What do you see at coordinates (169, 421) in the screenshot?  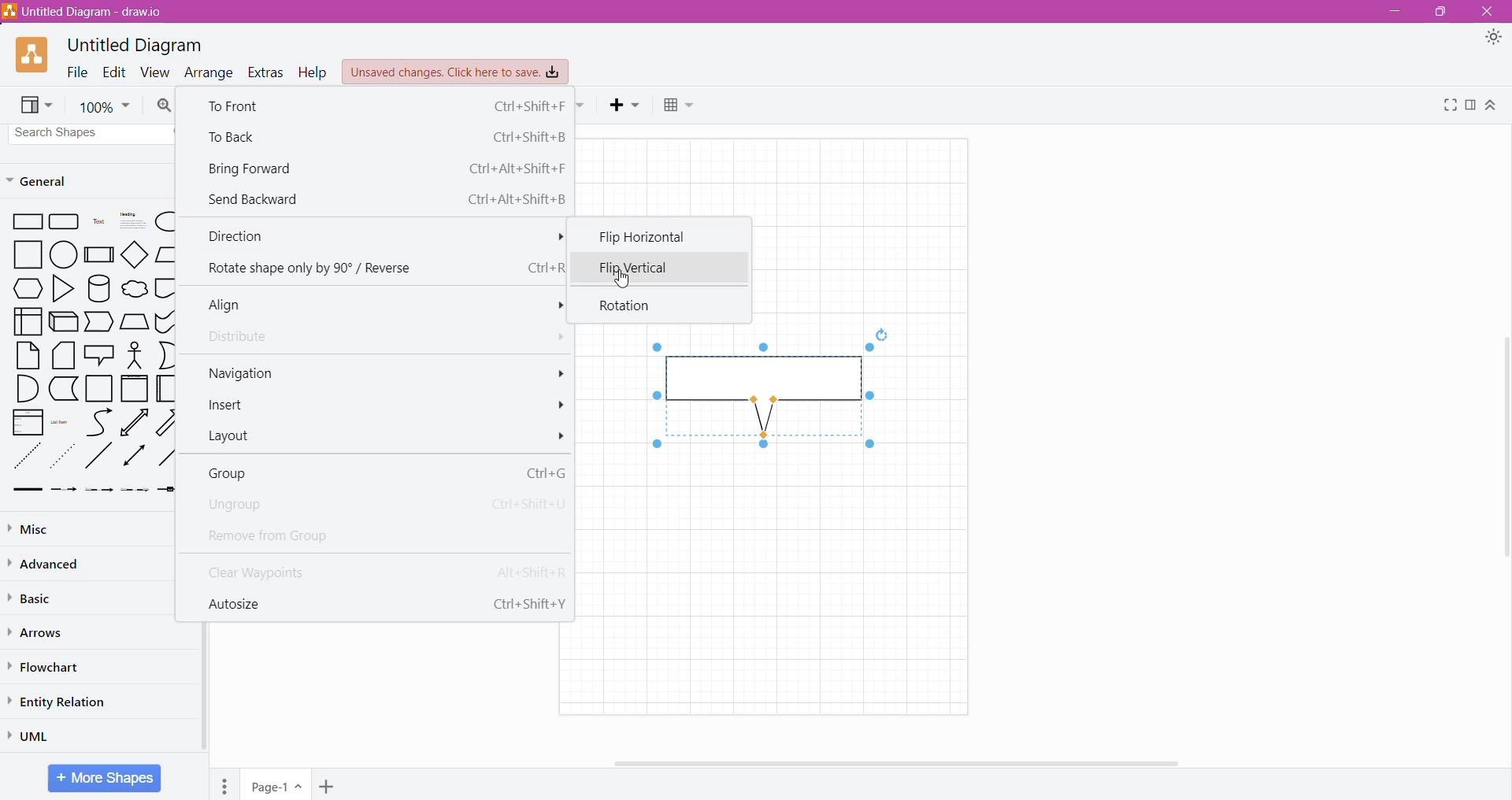 I see `Right Diagonal Arrow` at bounding box center [169, 421].